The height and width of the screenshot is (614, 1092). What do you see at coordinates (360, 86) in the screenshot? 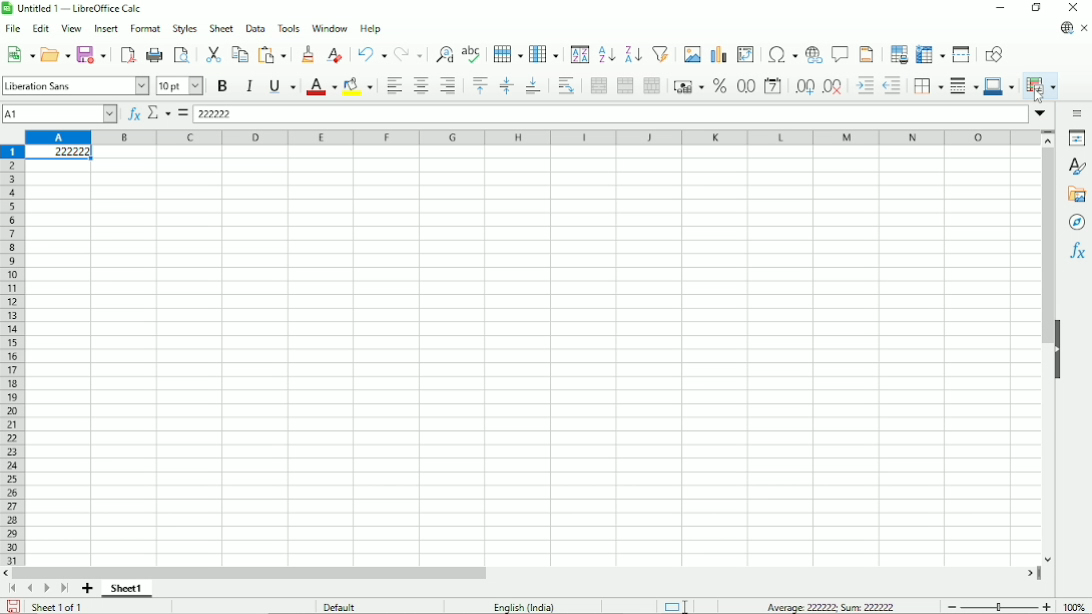
I see `Background color` at bounding box center [360, 86].